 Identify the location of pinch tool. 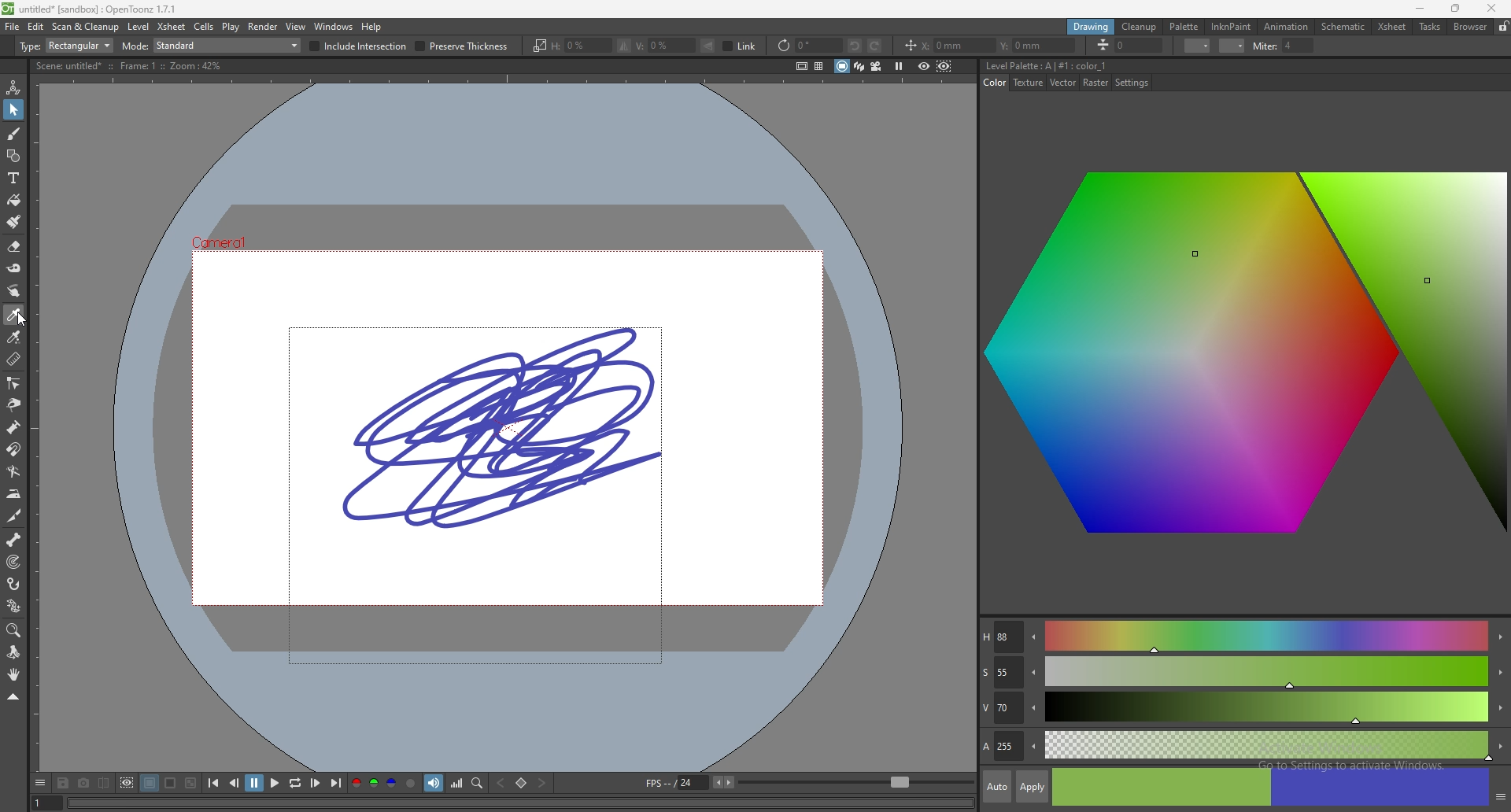
(14, 404).